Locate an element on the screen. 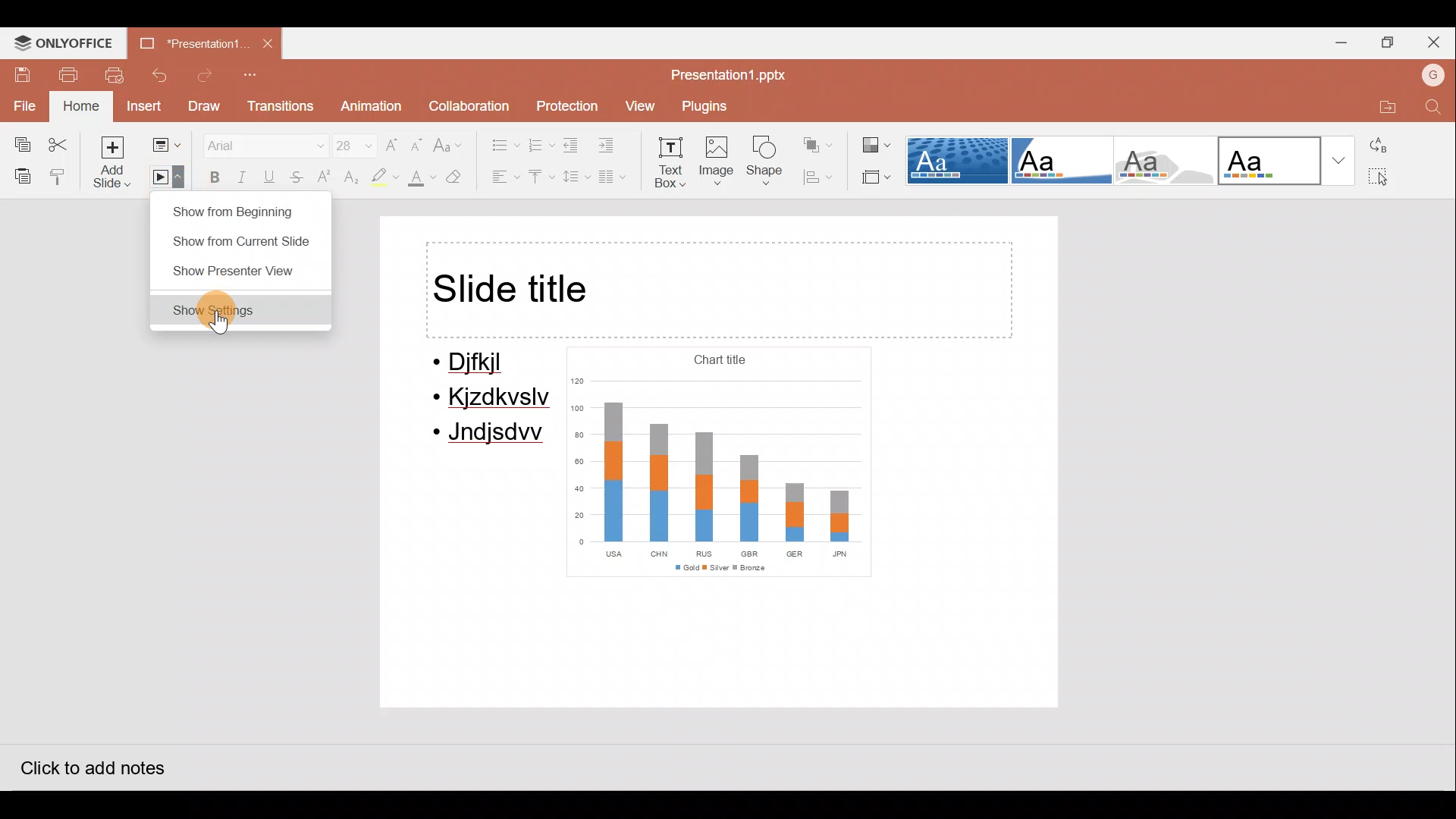 The height and width of the screenshot is (819, 1456). Increase font size is located at coordinates (391, 145).